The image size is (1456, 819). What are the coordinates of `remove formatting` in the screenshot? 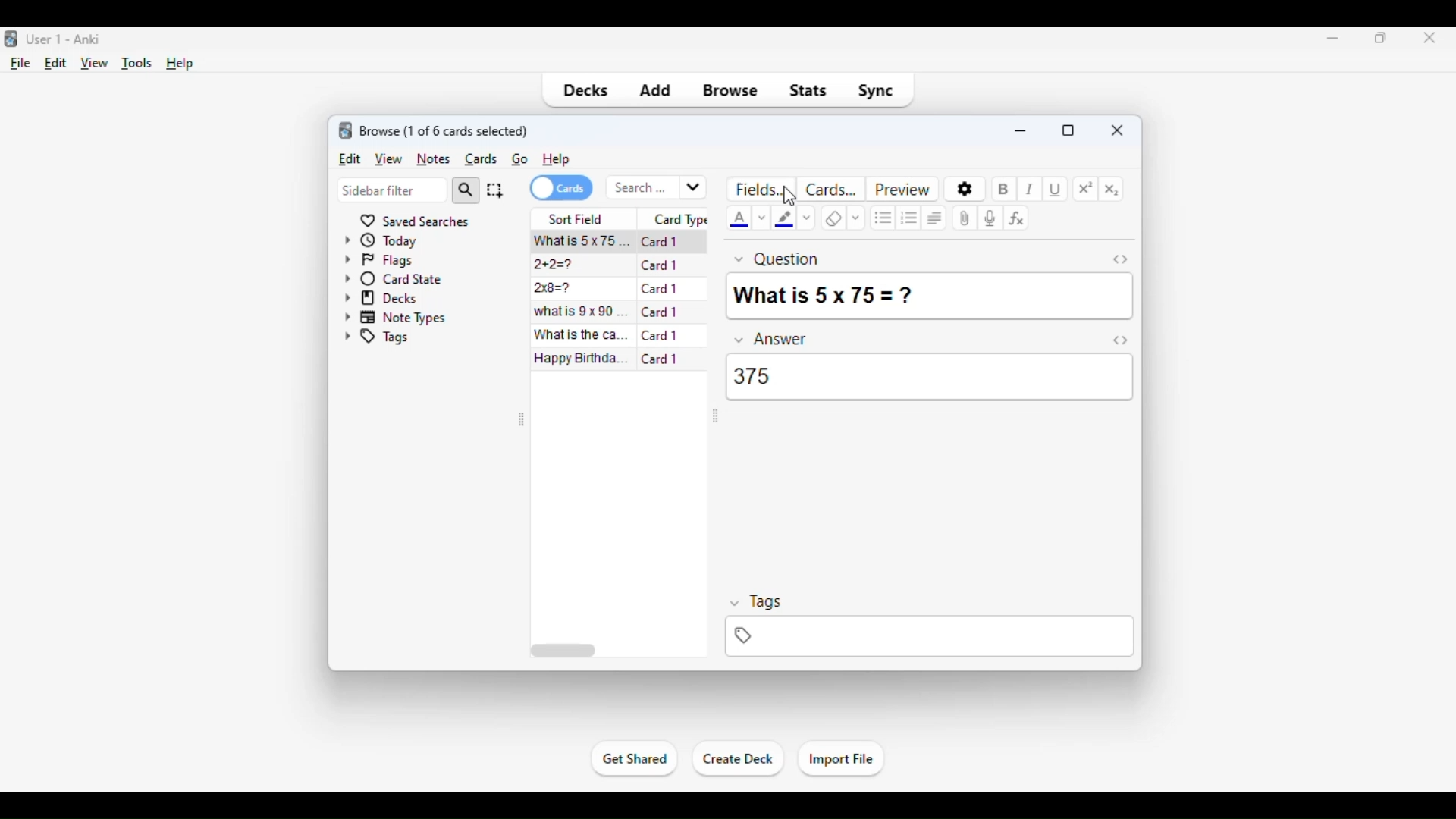 It's located at (833, 219).